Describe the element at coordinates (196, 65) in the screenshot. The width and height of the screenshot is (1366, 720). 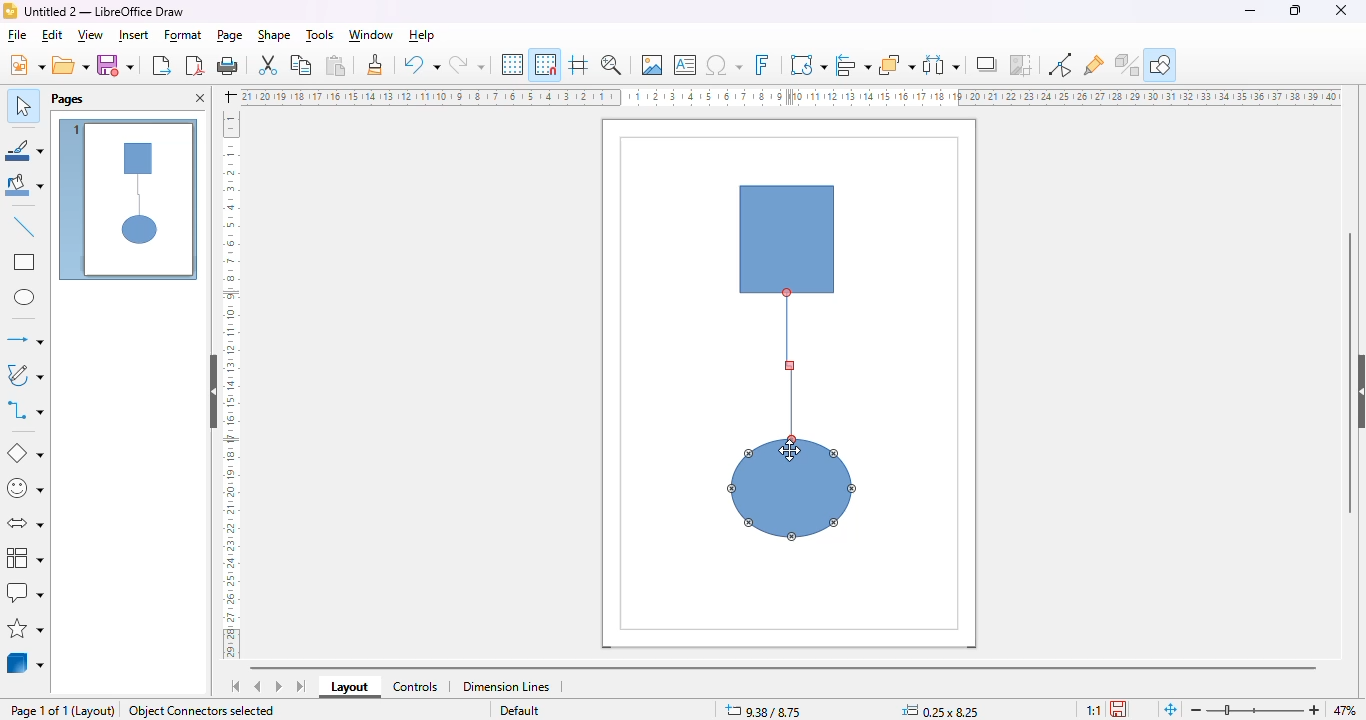
I see `export directly as PDF` at that location.